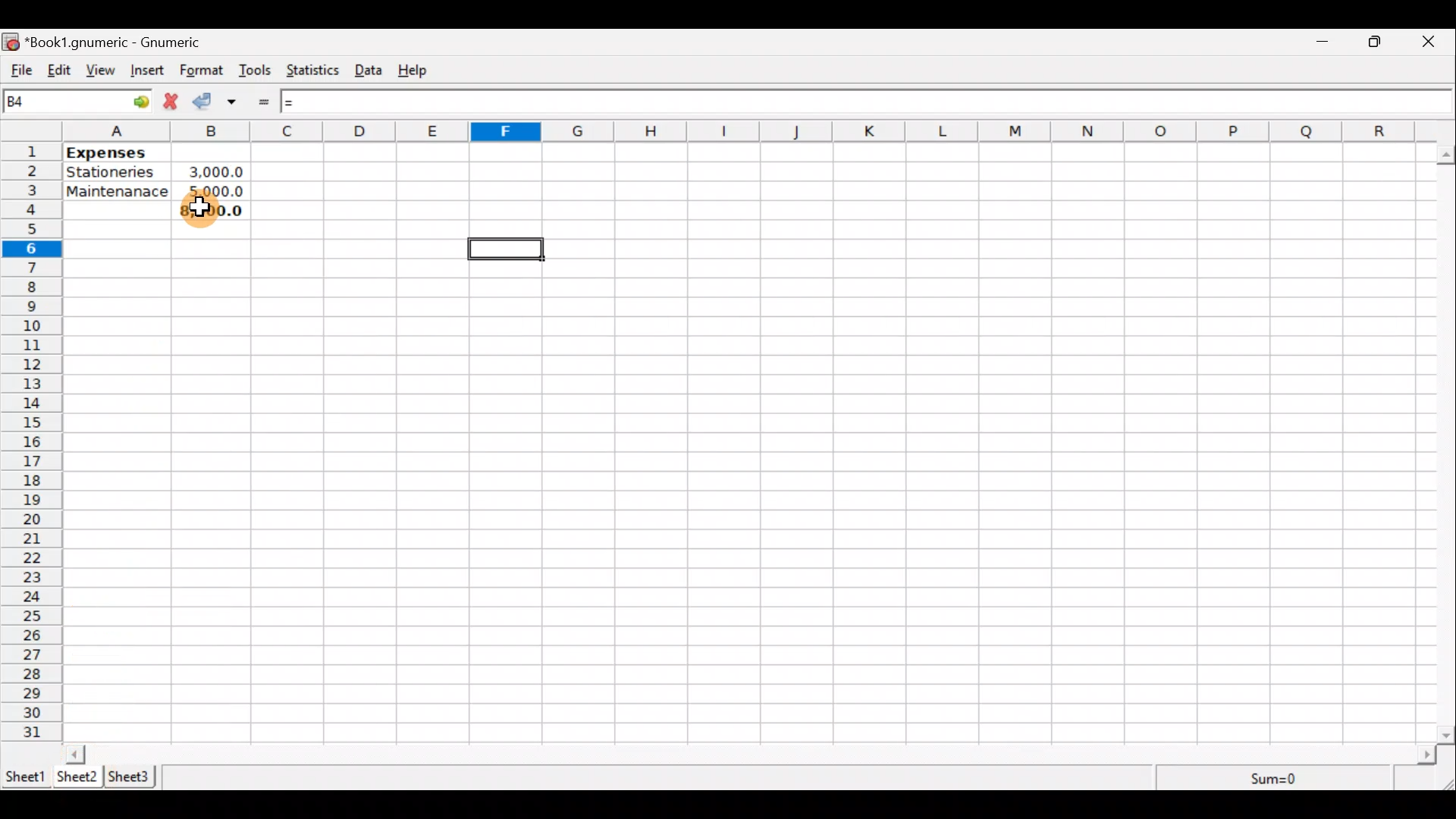 This screenshot has height=819, width=1456. Describe the element at coordinates (315, 72) in the screenshot. I see `Statistics` at that location.